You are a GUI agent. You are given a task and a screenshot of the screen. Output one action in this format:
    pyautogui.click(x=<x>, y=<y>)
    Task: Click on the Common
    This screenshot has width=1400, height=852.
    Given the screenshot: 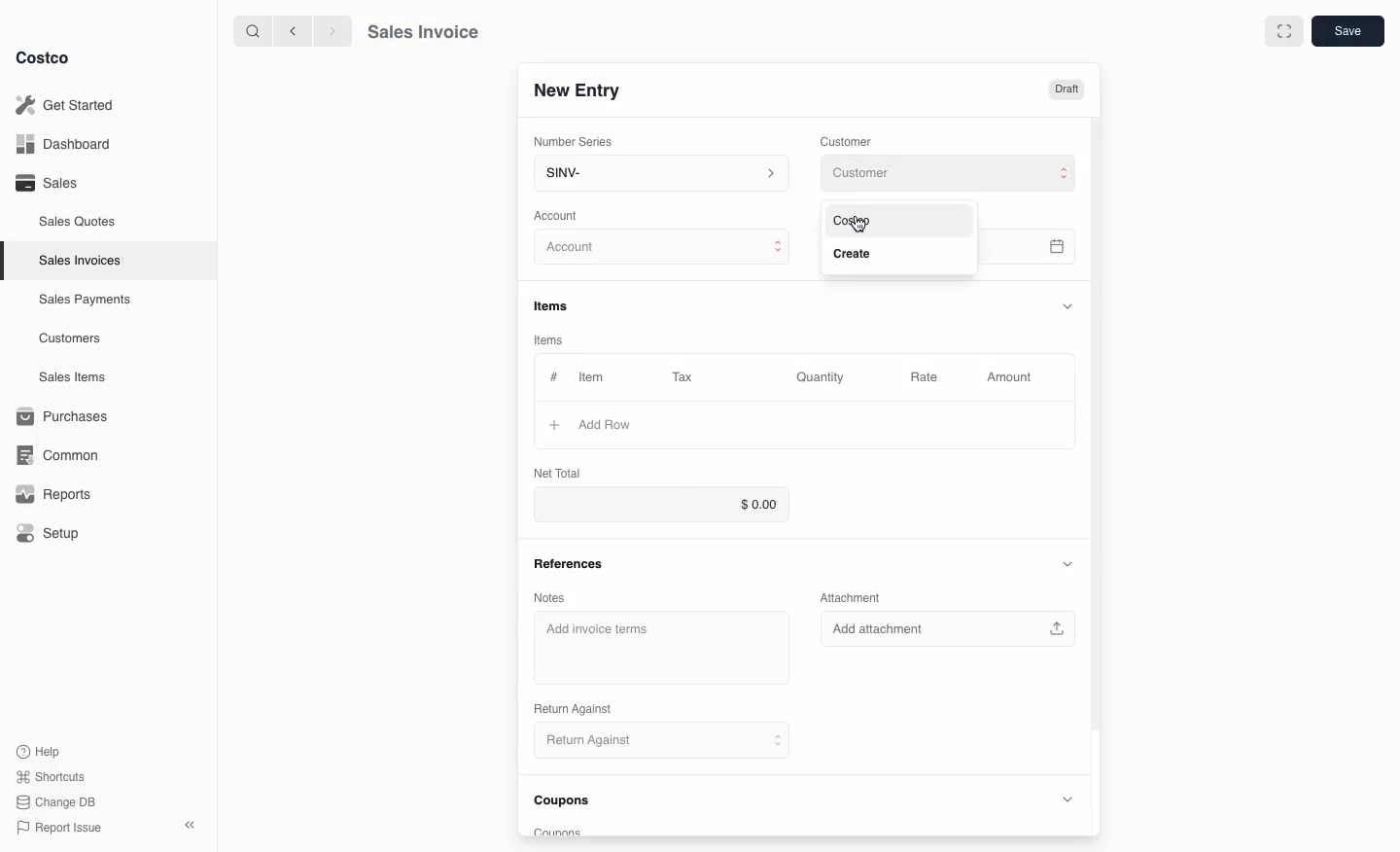 What is the action you would take?
    pyautogui.click(x=53, y=453)
    